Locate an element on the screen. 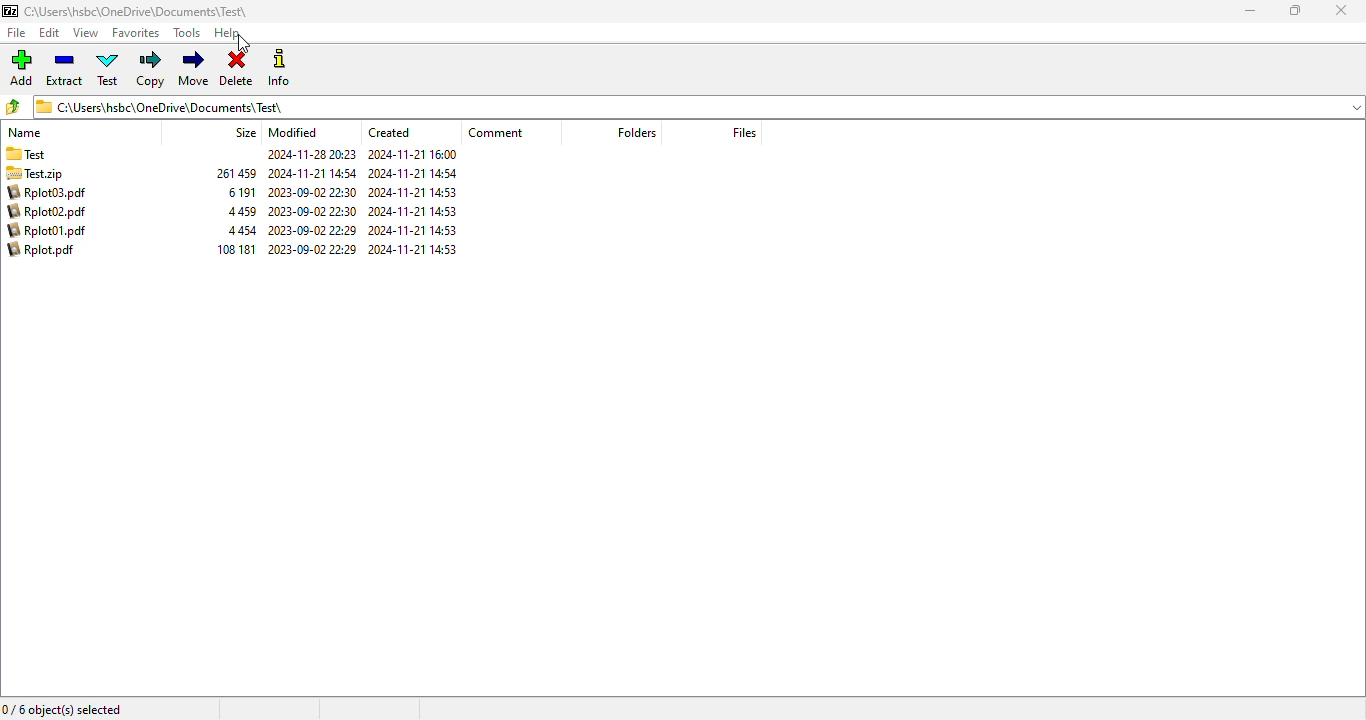  261459 is located at coordinates (236, 173).